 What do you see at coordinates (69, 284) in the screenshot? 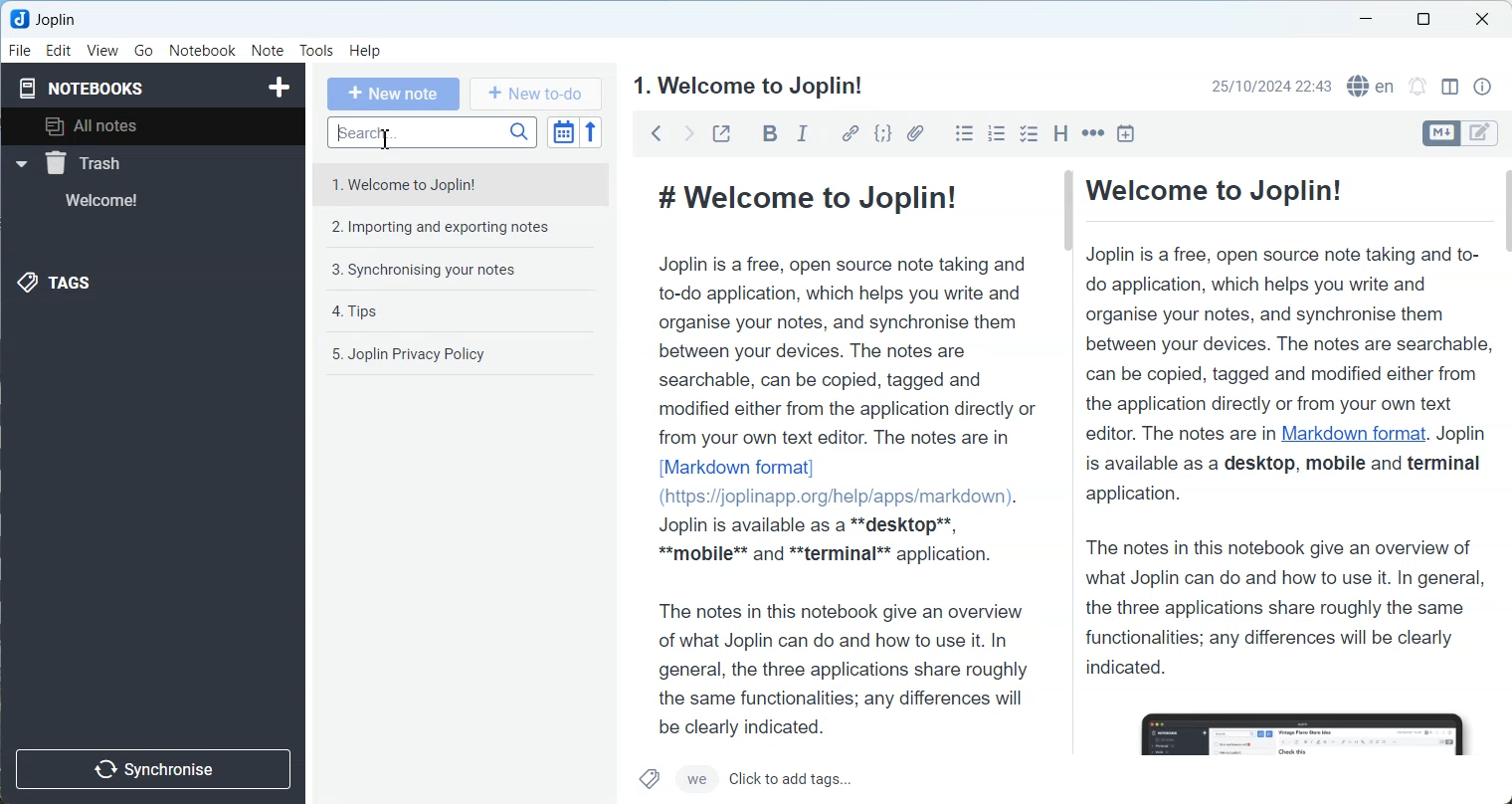
I see `Tags` at bounding box center [69, 284].